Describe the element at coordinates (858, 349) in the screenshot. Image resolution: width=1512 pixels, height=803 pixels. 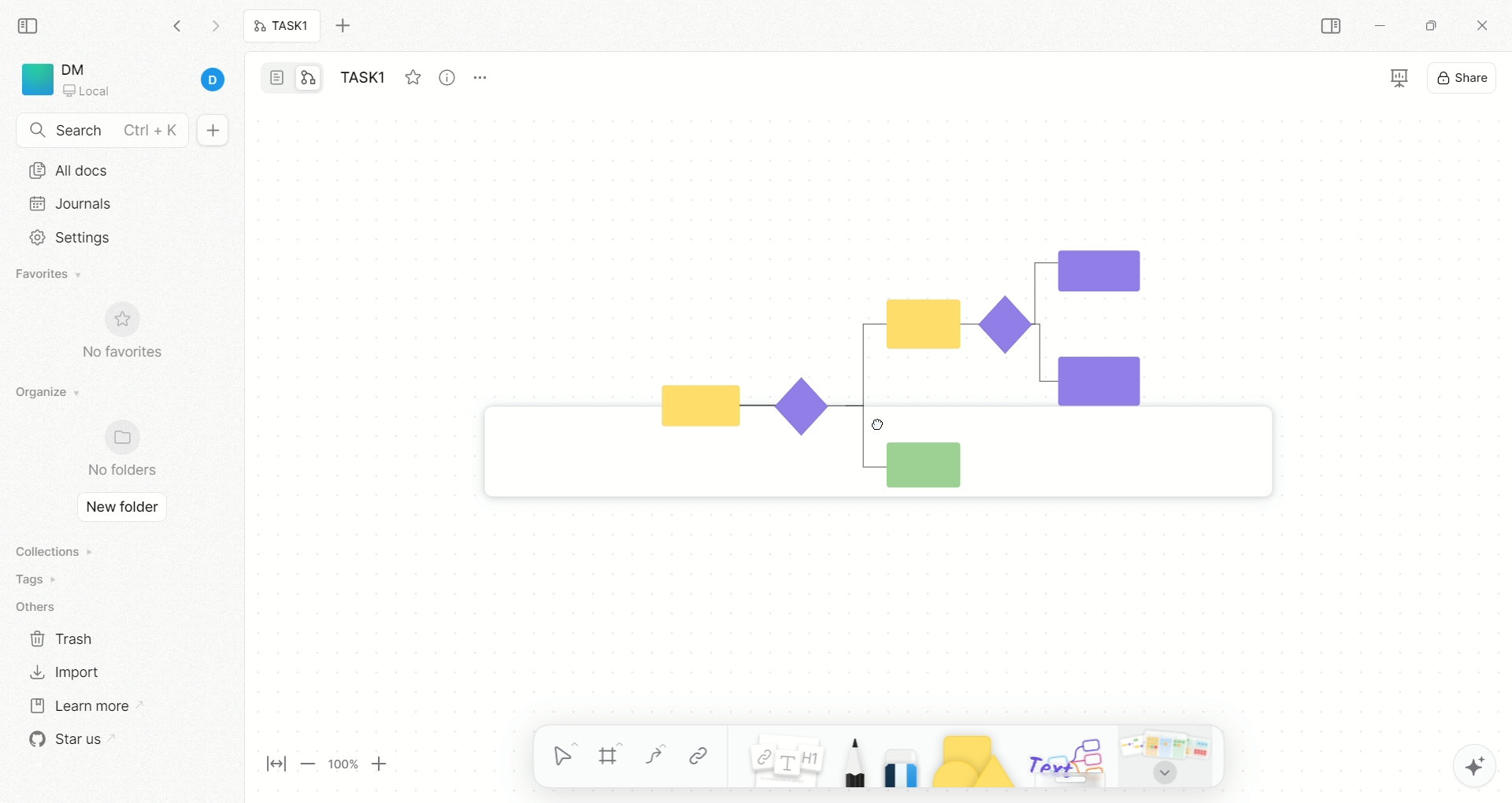
I see `flowchart` at that location.